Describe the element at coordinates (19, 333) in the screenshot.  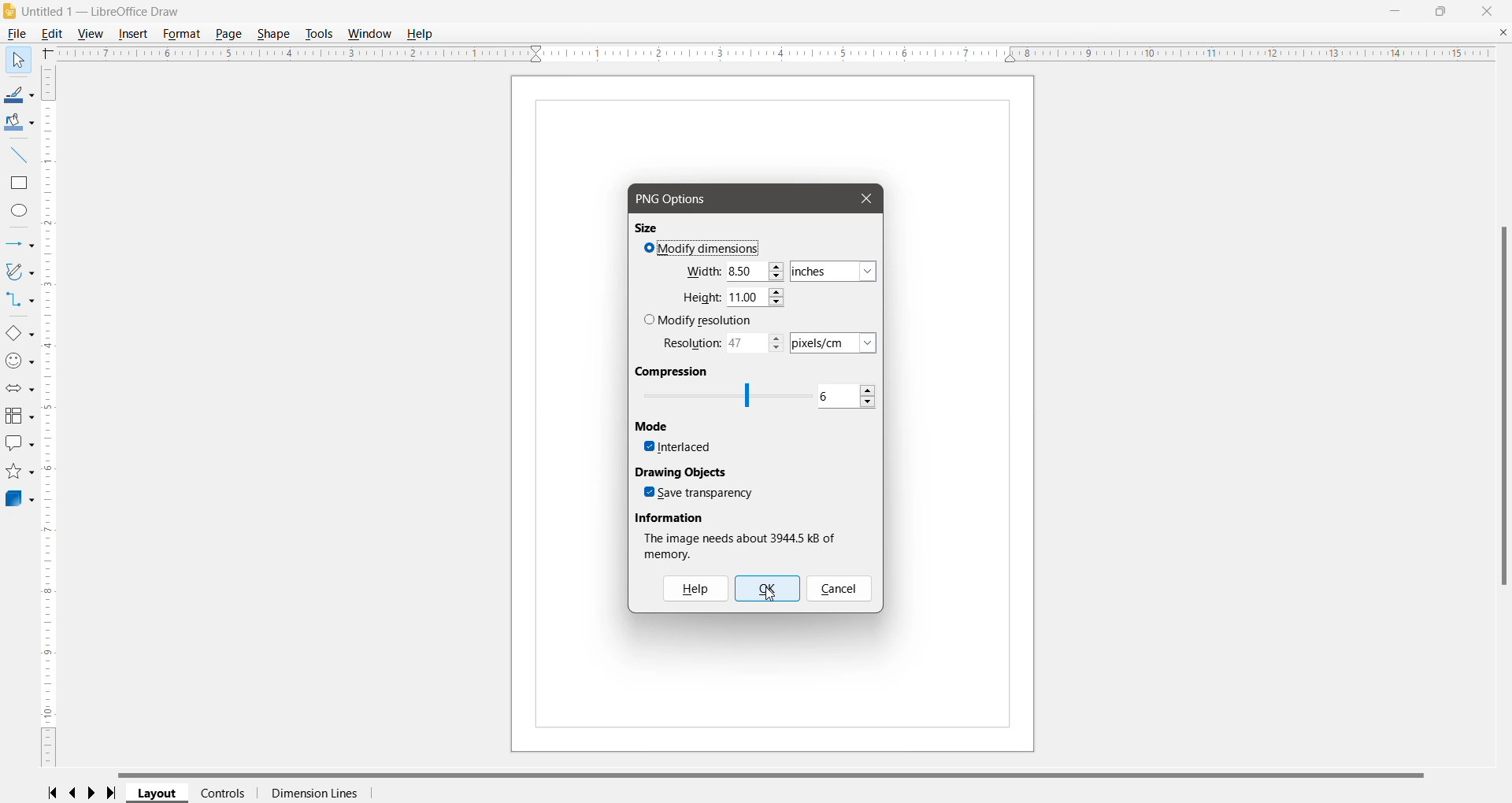
I see `Basic Shapes` at that location.